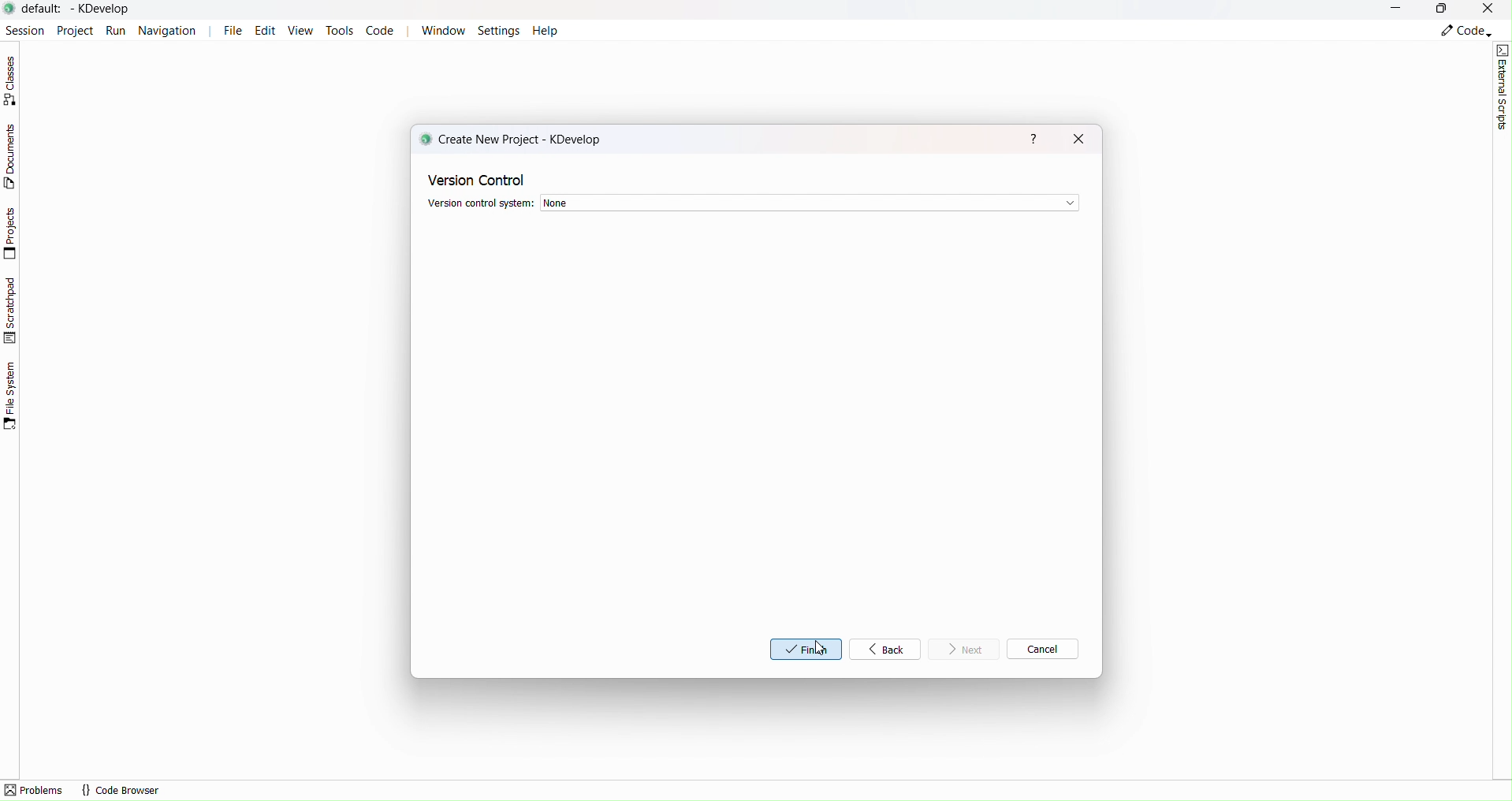  Describe the element at coordinates (1503, 87) in the screenshot. I see `External script` at that location.